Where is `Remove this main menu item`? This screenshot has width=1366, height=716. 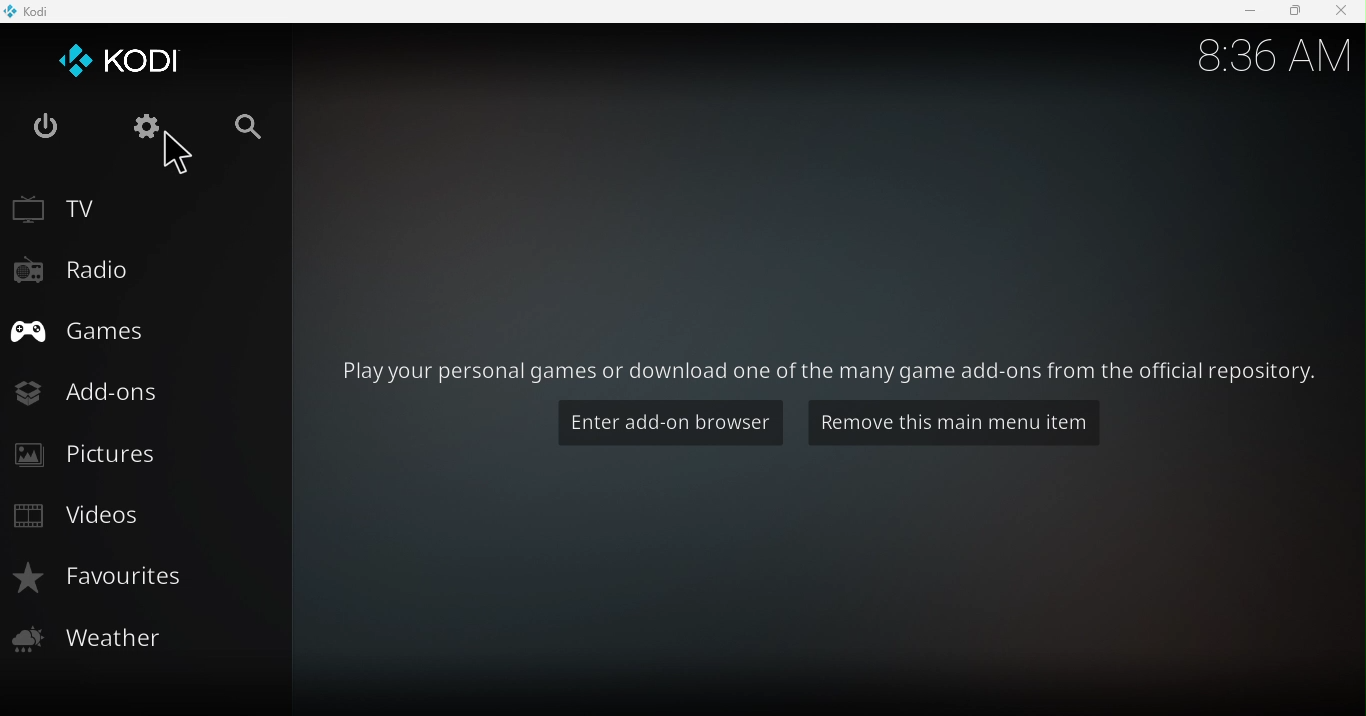 Remove this main menu item is located at coordinates (960, 425).